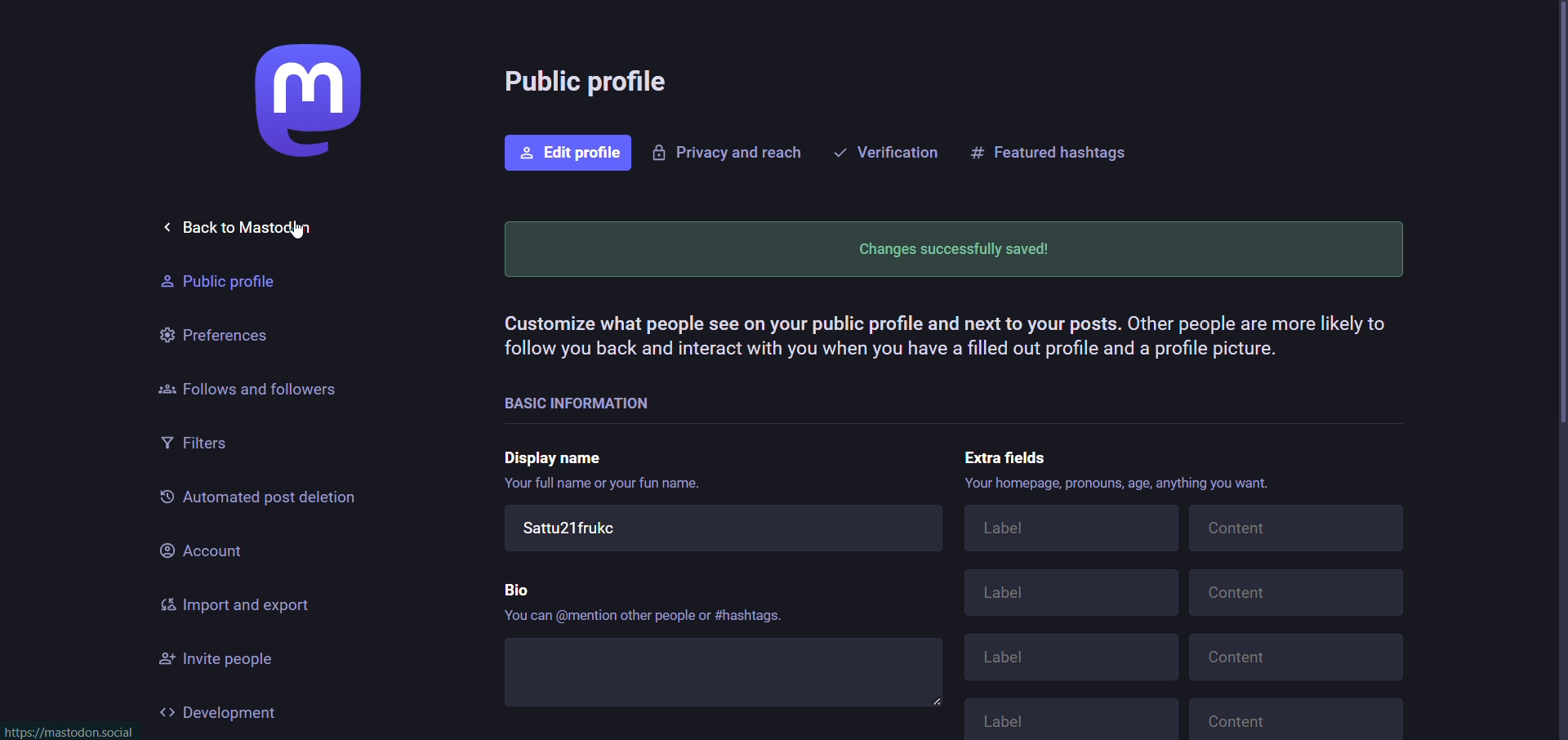  Describe the element at coordinates (886, 150) in the screenshot. I see `verification` at that location.